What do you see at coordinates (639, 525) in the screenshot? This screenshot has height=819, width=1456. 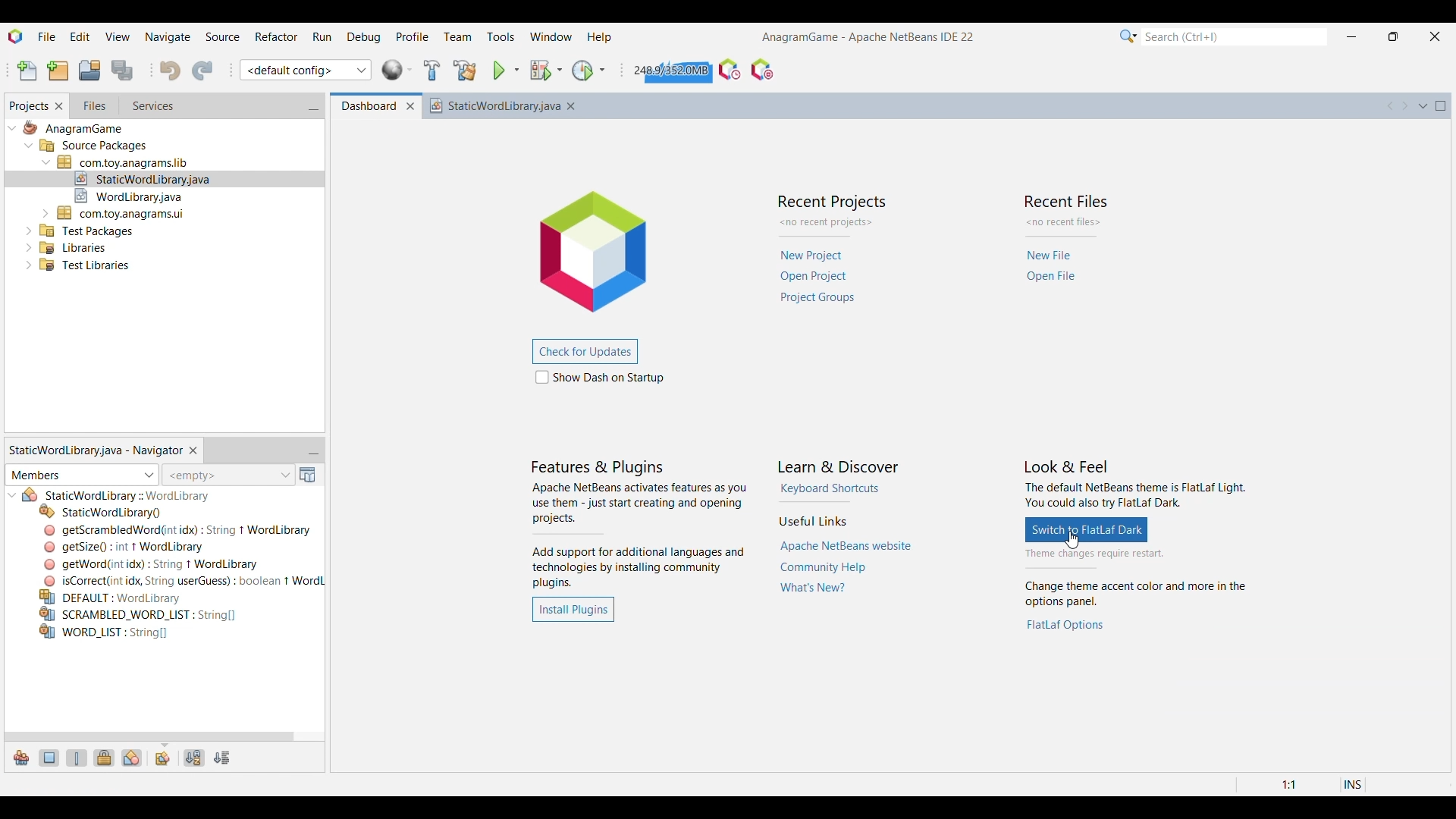 I see `Title and description of Features and Plugins` at bounding box center [639, 525].